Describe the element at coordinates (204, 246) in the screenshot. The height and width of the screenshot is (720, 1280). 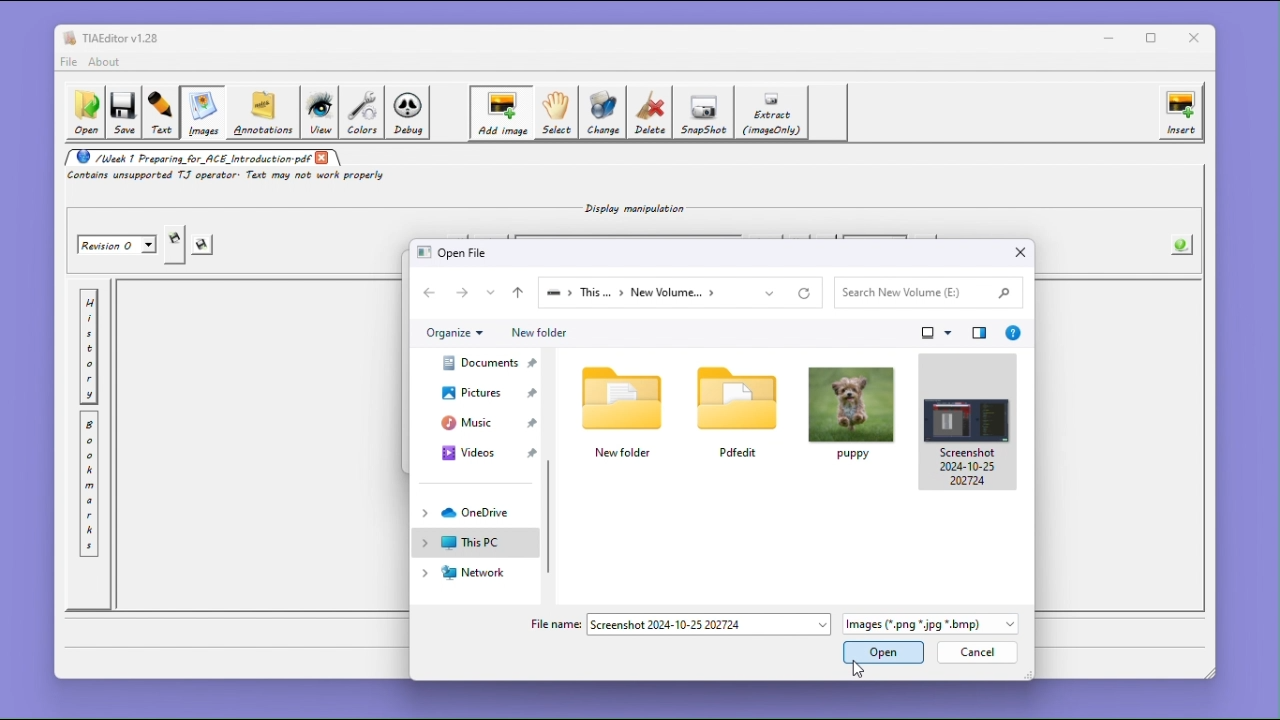
I see `save` at that location.